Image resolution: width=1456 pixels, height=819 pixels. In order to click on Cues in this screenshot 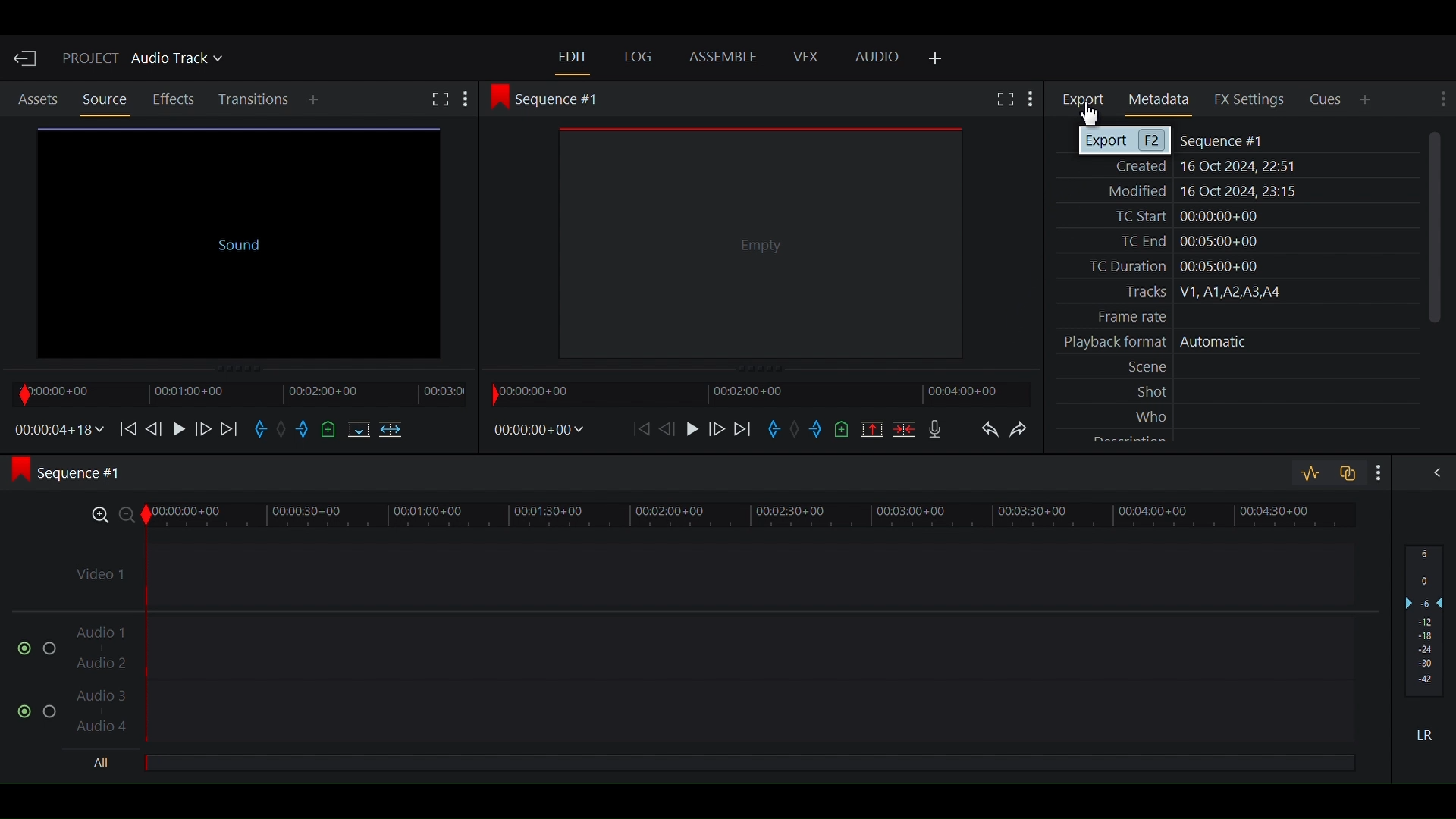, I will do `click(1327, 100)`.